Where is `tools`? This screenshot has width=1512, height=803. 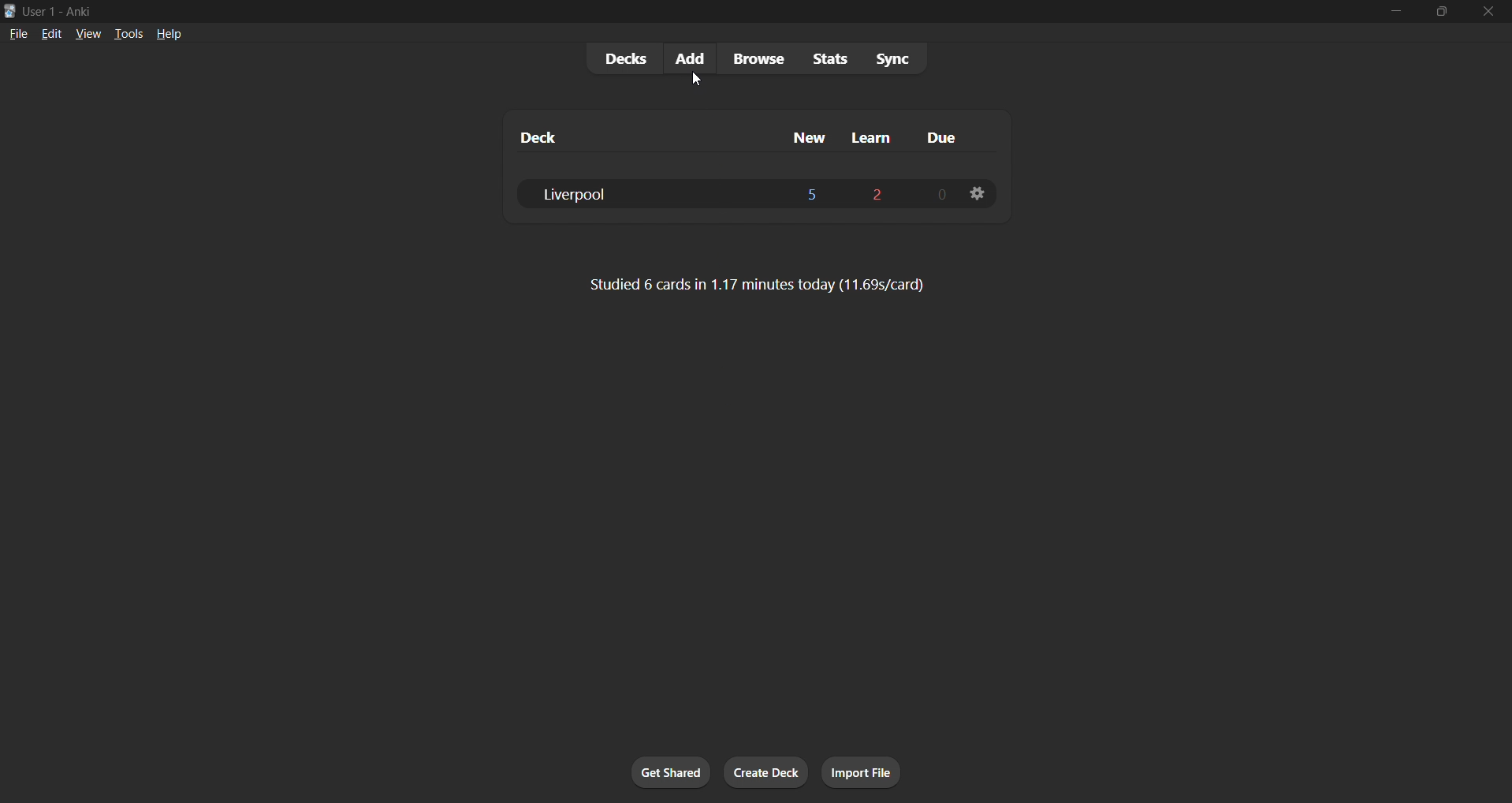
tools is located at coordinates (127, 35).